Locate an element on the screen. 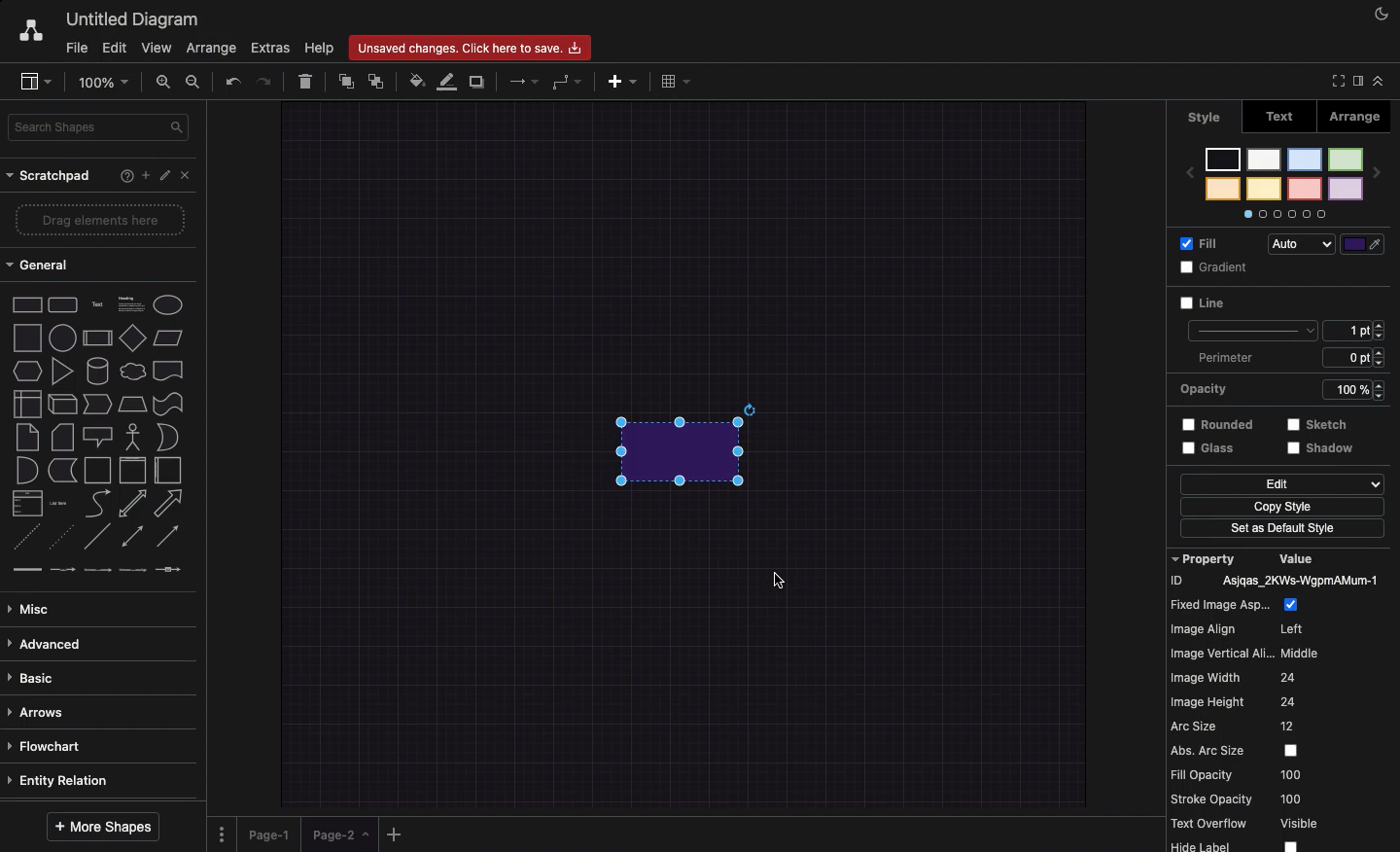 The height and width of the screenshot is (852, 1400). and is located at coordinates (26, 471).